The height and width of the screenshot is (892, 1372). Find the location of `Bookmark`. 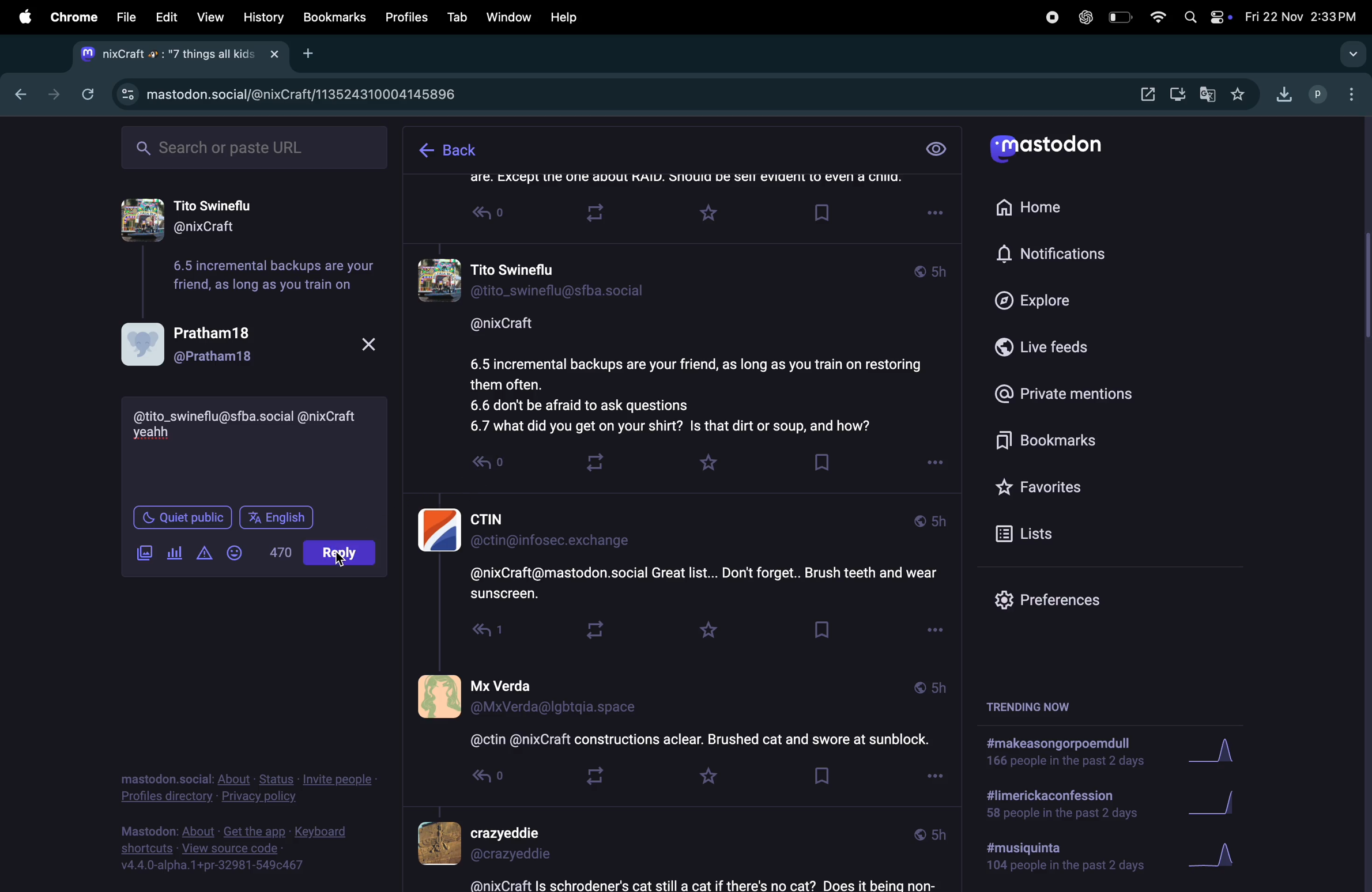

Bookmark is located at coordinates (821, 778).